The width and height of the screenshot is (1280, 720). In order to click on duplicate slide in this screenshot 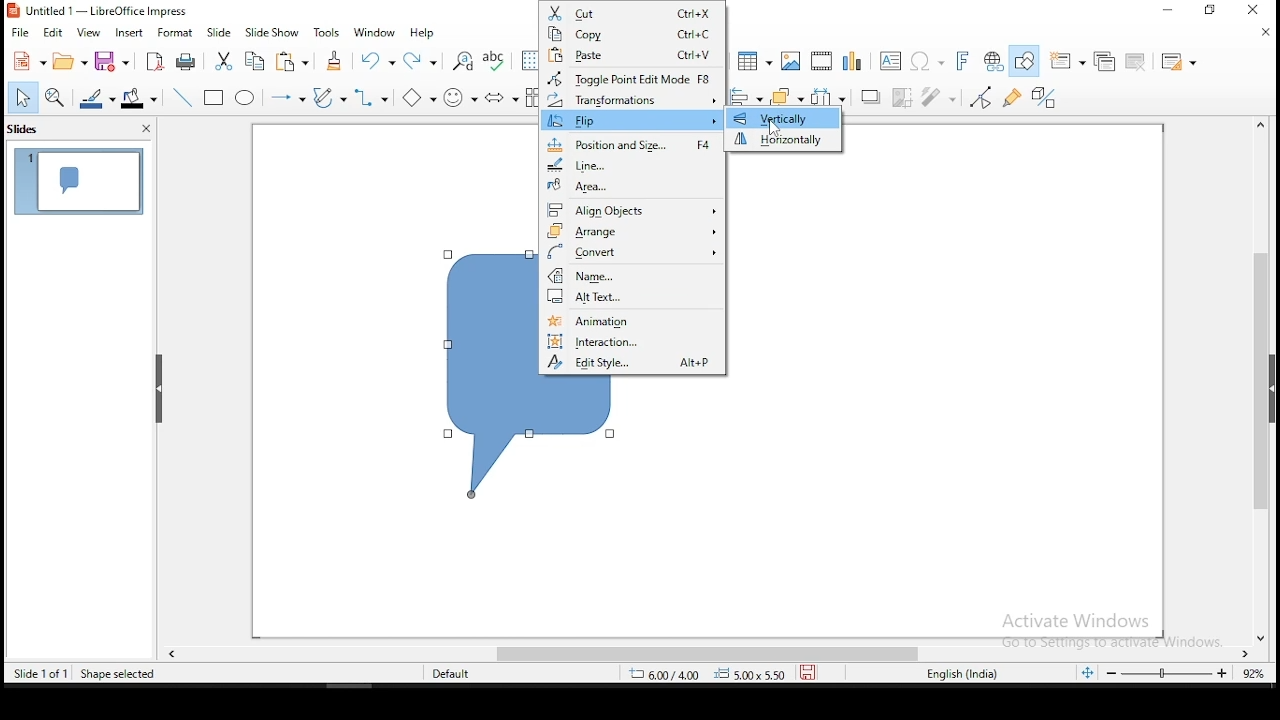, I will do `click(1106, 60)`.